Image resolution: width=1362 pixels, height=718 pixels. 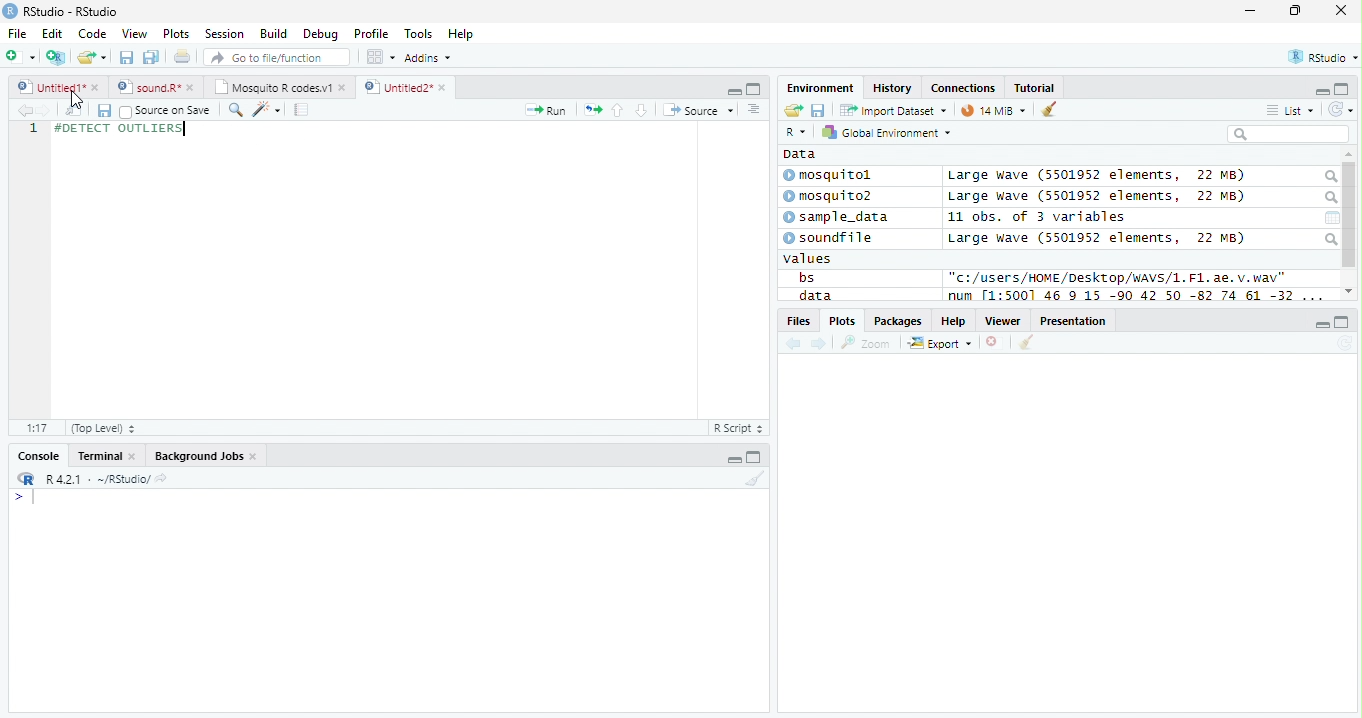 I want to click on List, so click(x=1290, y=110).